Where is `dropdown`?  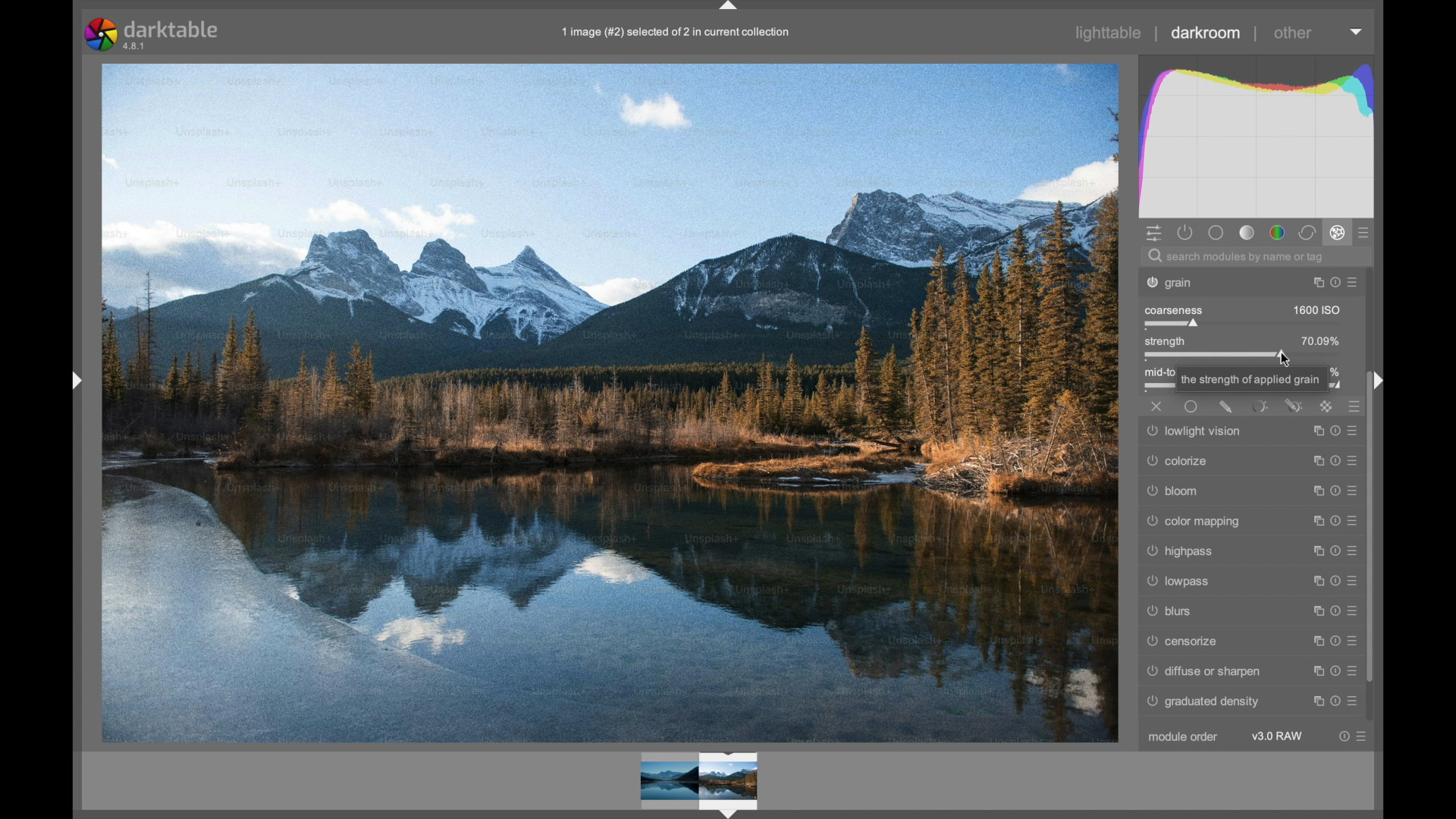 dropdown is located at coordinates (1356, 32).